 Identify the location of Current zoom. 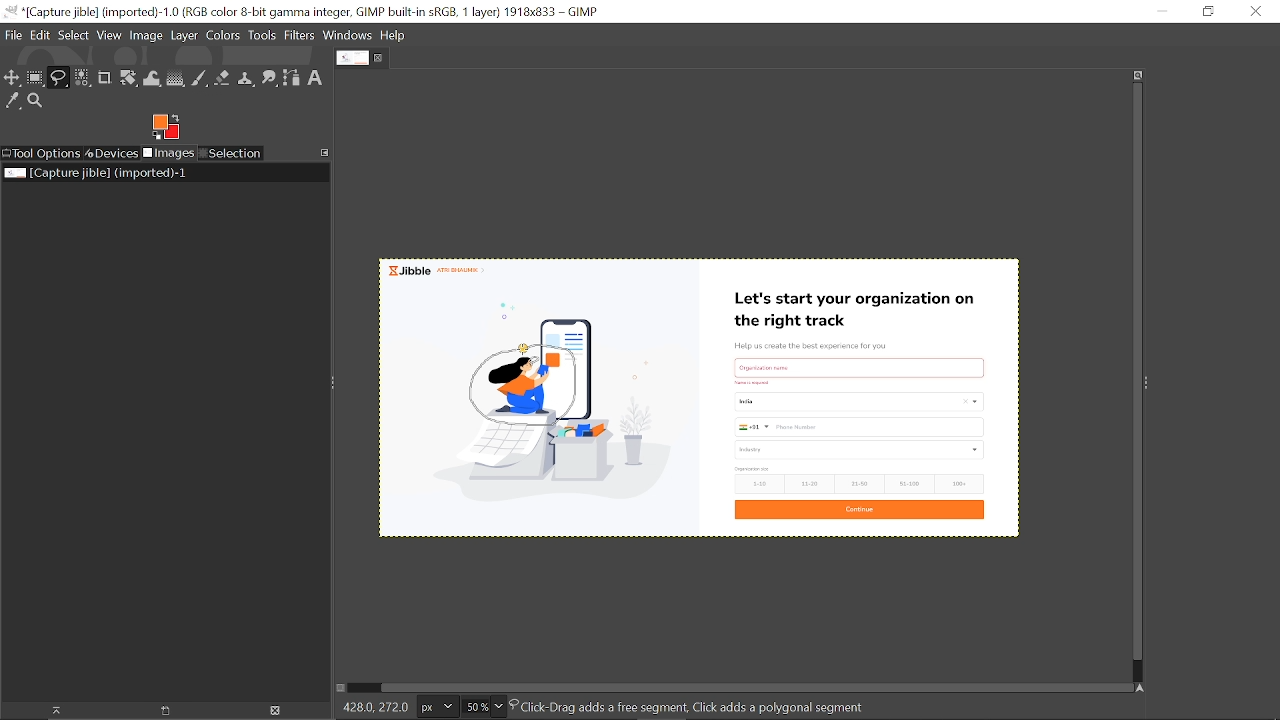
(474, 706).